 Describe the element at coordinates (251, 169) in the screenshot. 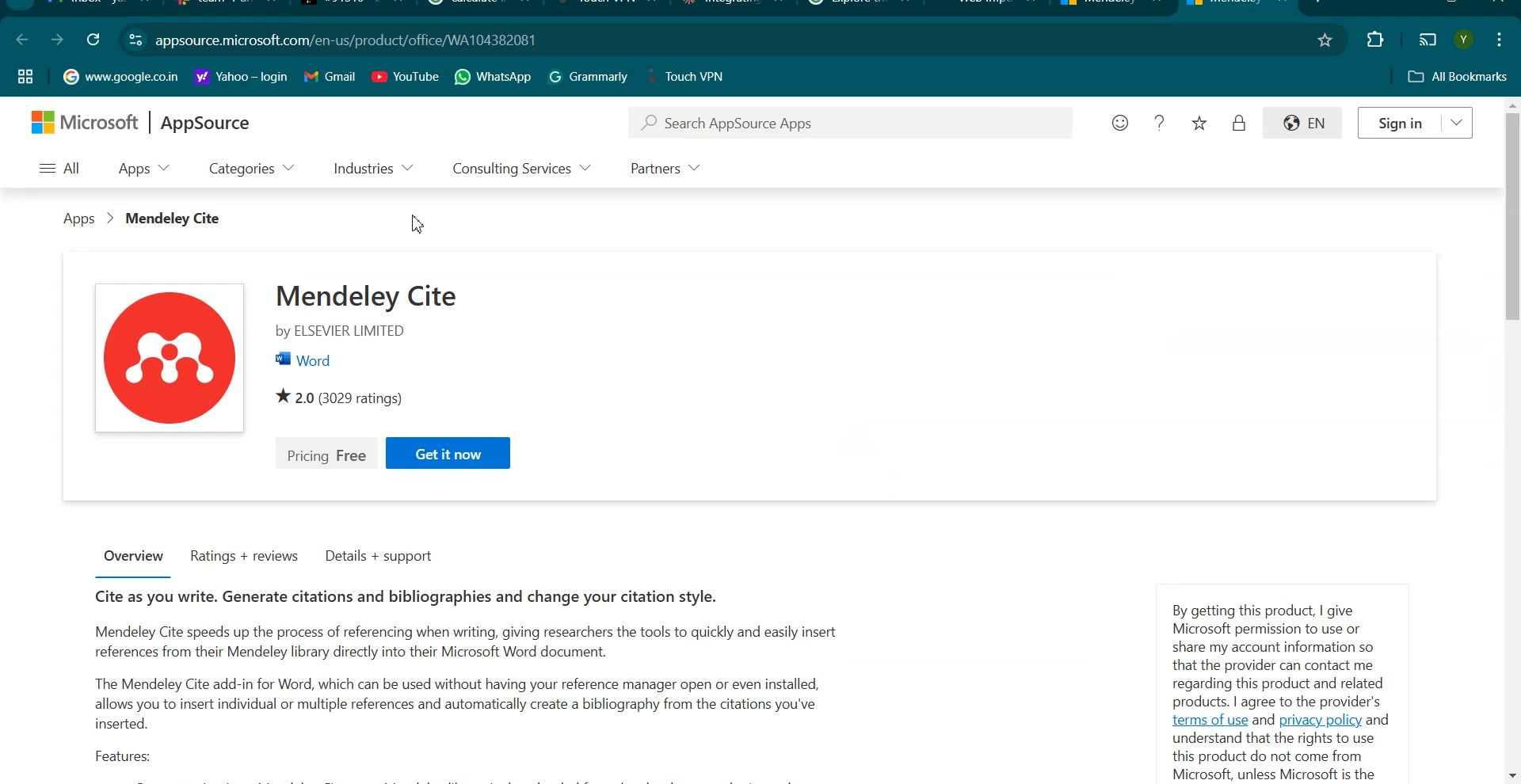

I see `Categories` at that location.